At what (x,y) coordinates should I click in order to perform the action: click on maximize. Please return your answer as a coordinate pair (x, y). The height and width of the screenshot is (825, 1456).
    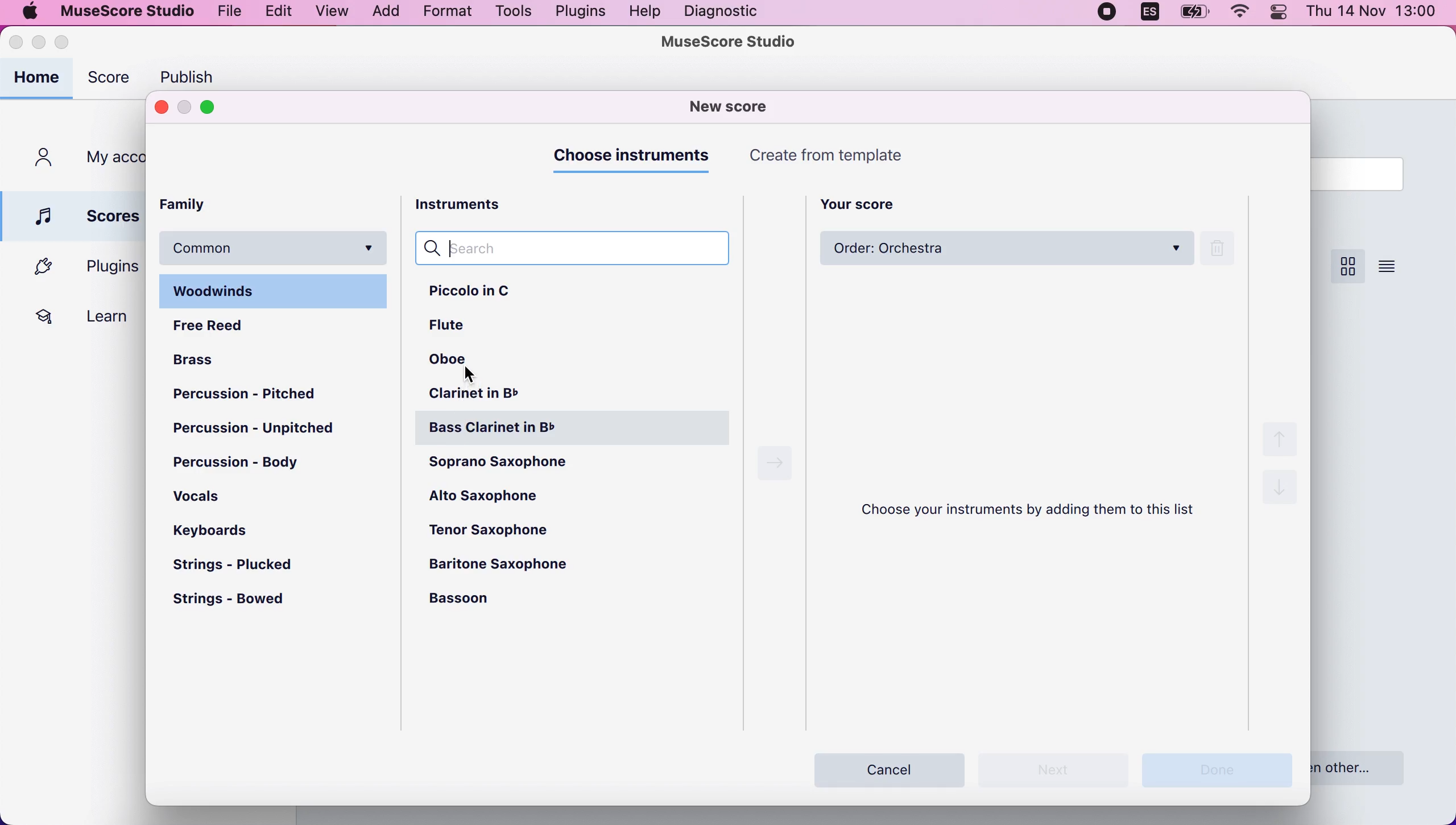
    Looking at the image, I should click on (216, 108).